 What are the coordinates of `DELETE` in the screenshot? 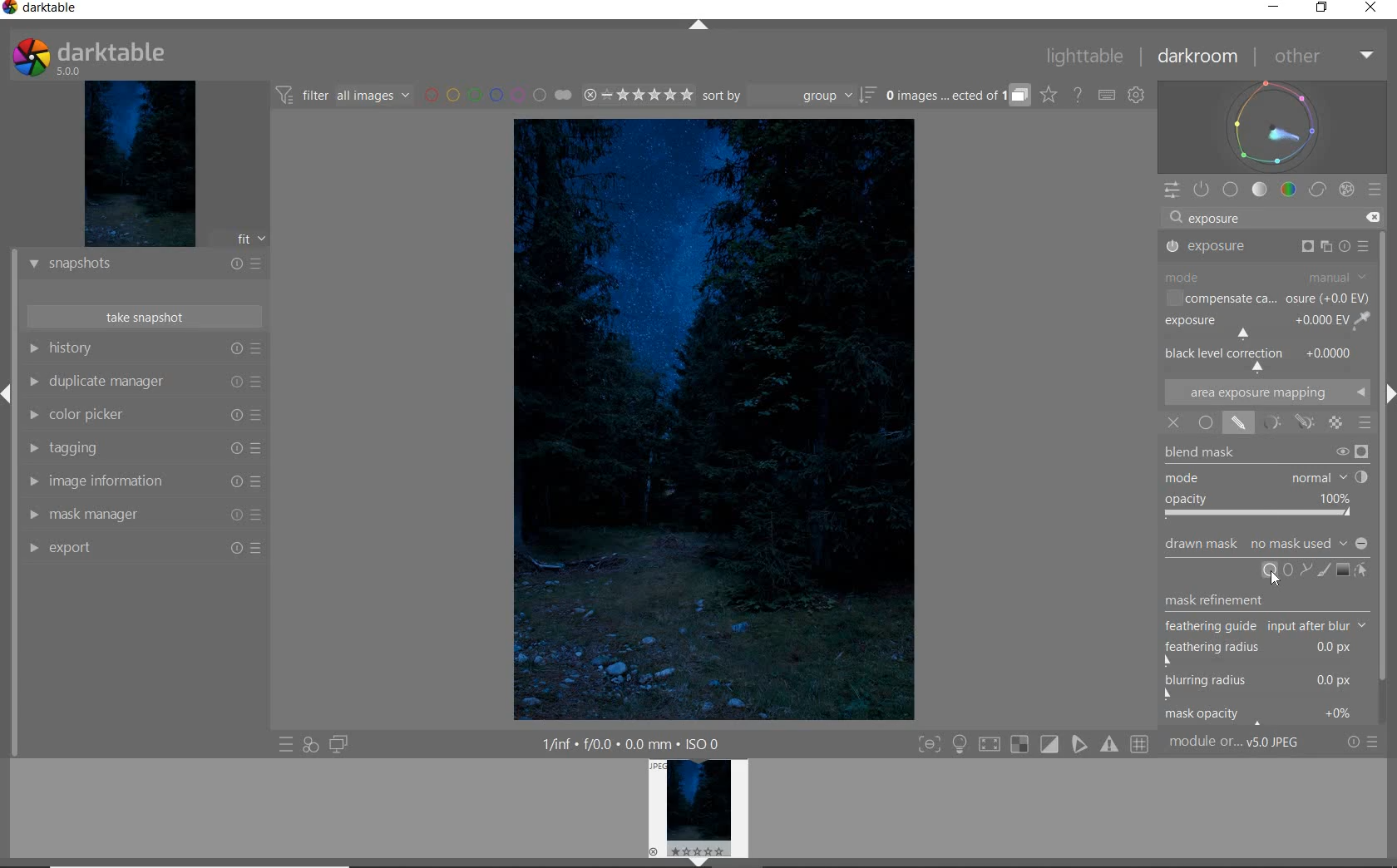 It's located at (1373, 218).